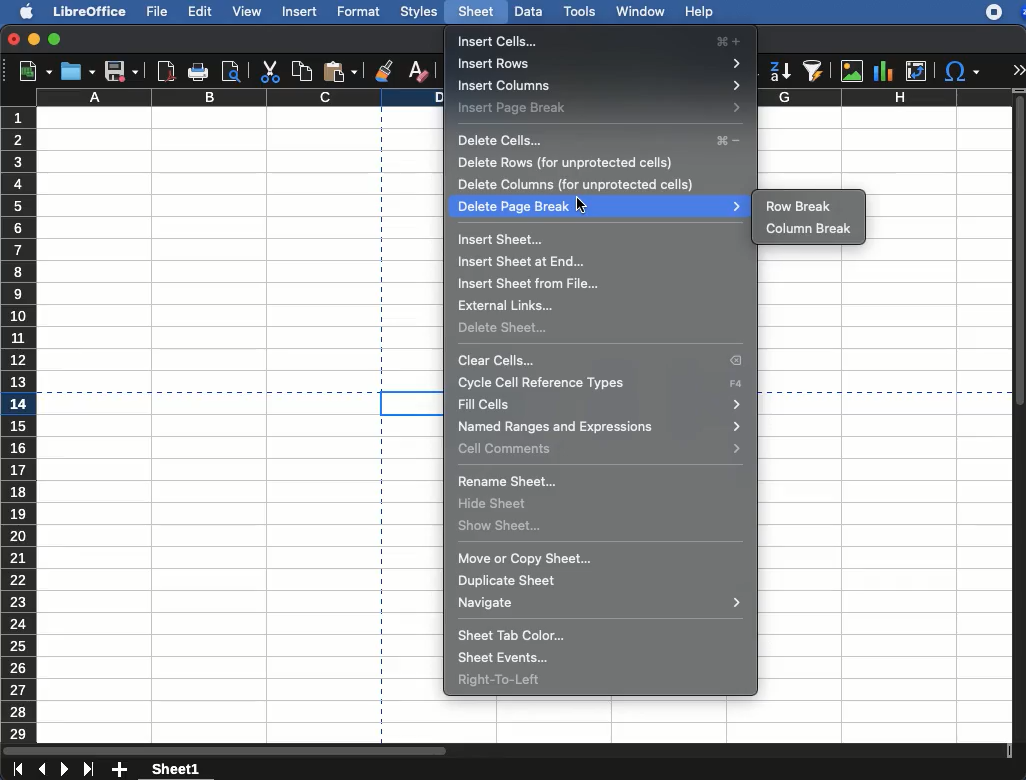  What do you see at coordinates (66, 770) in the screenshot?
I see `next sheet` at bounding box center [66, 770].